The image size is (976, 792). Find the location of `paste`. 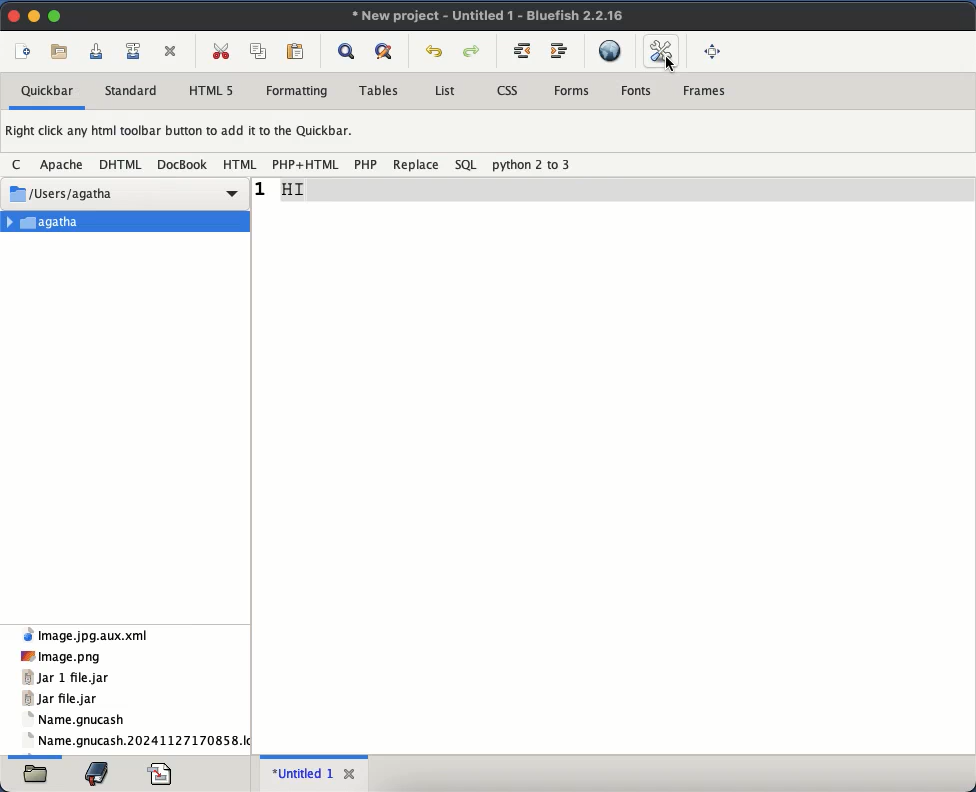

paste is located at coordinates (295, 50).